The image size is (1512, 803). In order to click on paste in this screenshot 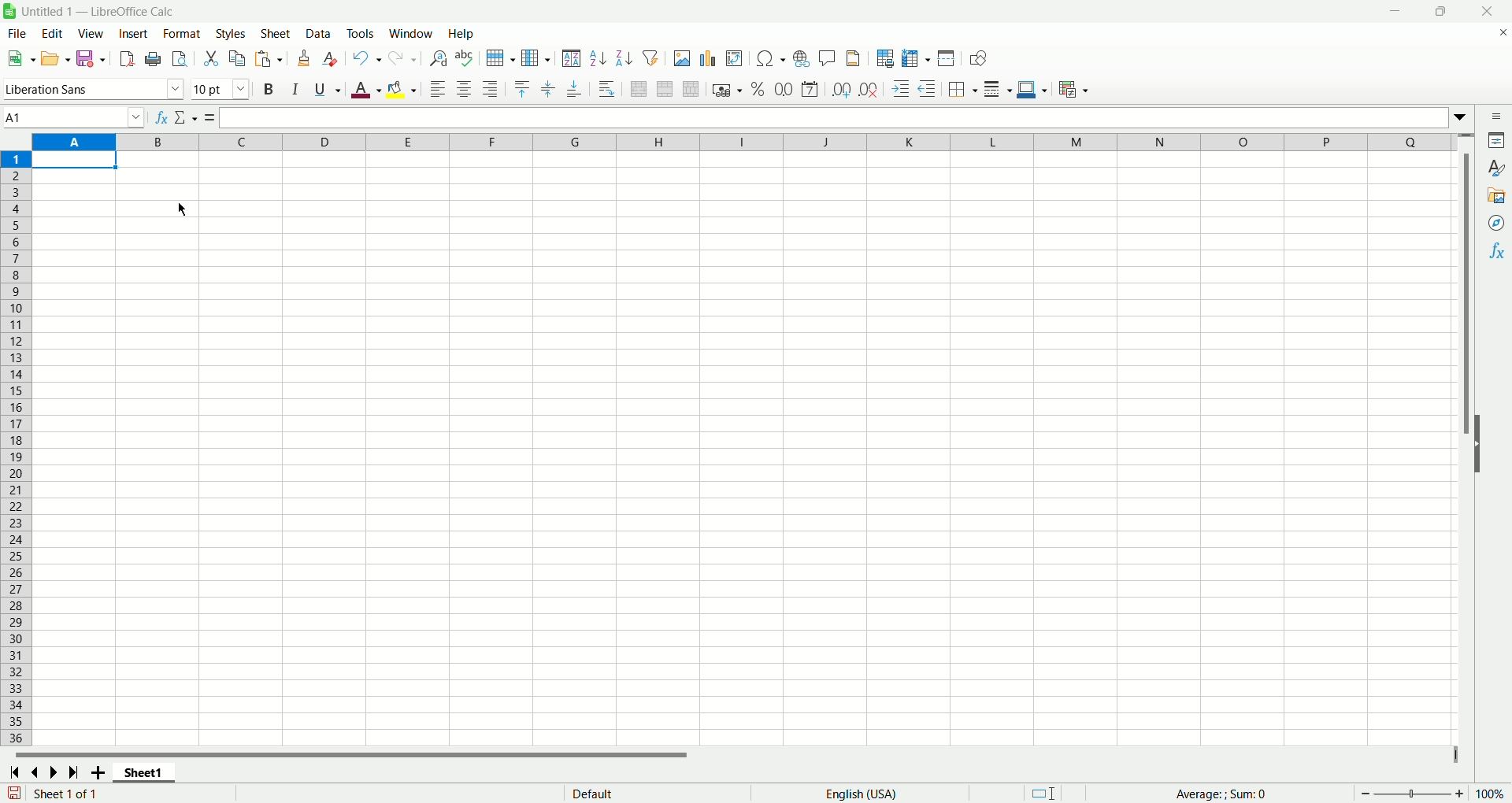, I will do `click(269, 60)`.